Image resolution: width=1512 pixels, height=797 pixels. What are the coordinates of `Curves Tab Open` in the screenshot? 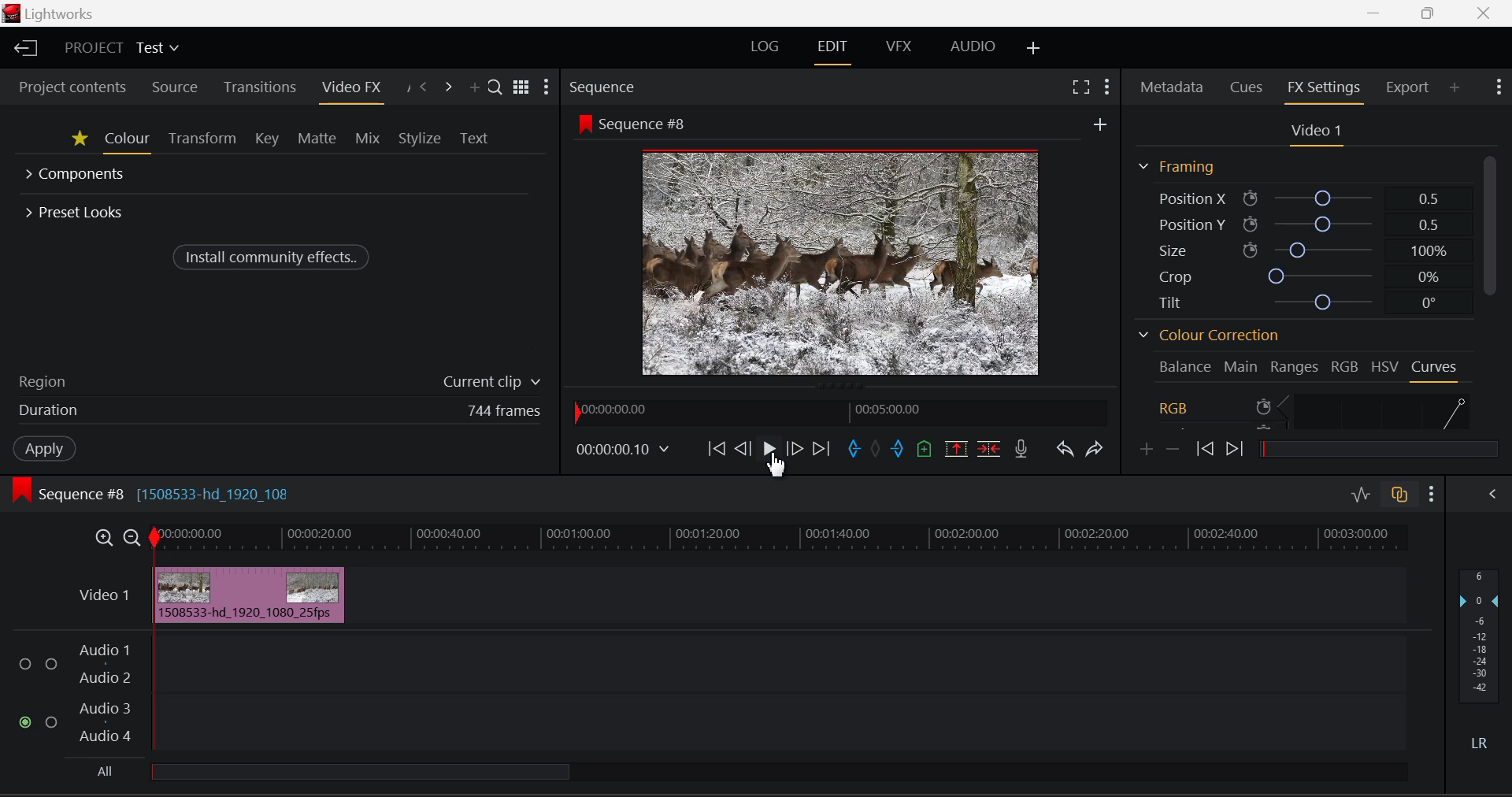 It's located at (1433, 369).